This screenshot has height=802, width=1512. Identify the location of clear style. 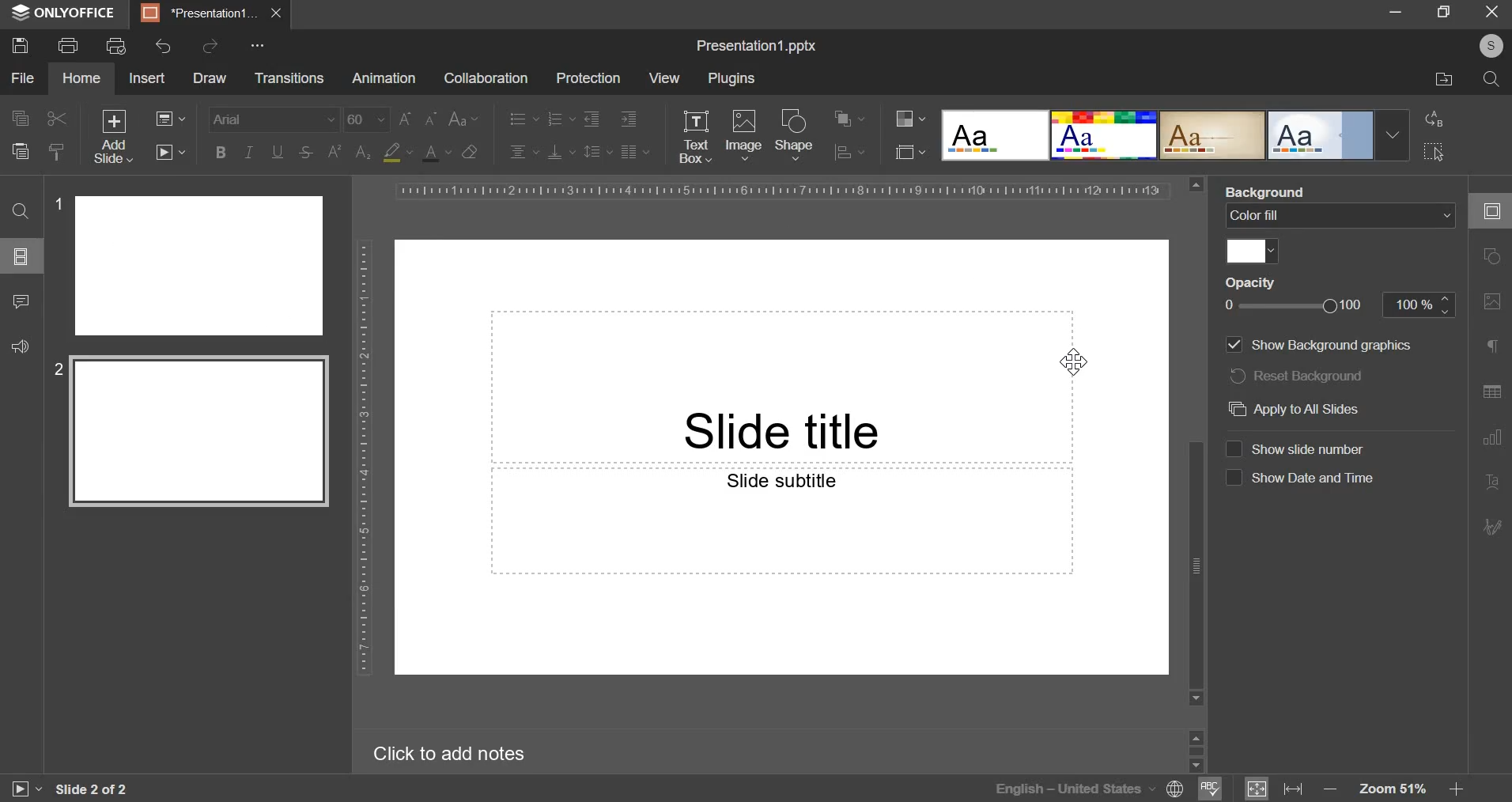
(470, 151).